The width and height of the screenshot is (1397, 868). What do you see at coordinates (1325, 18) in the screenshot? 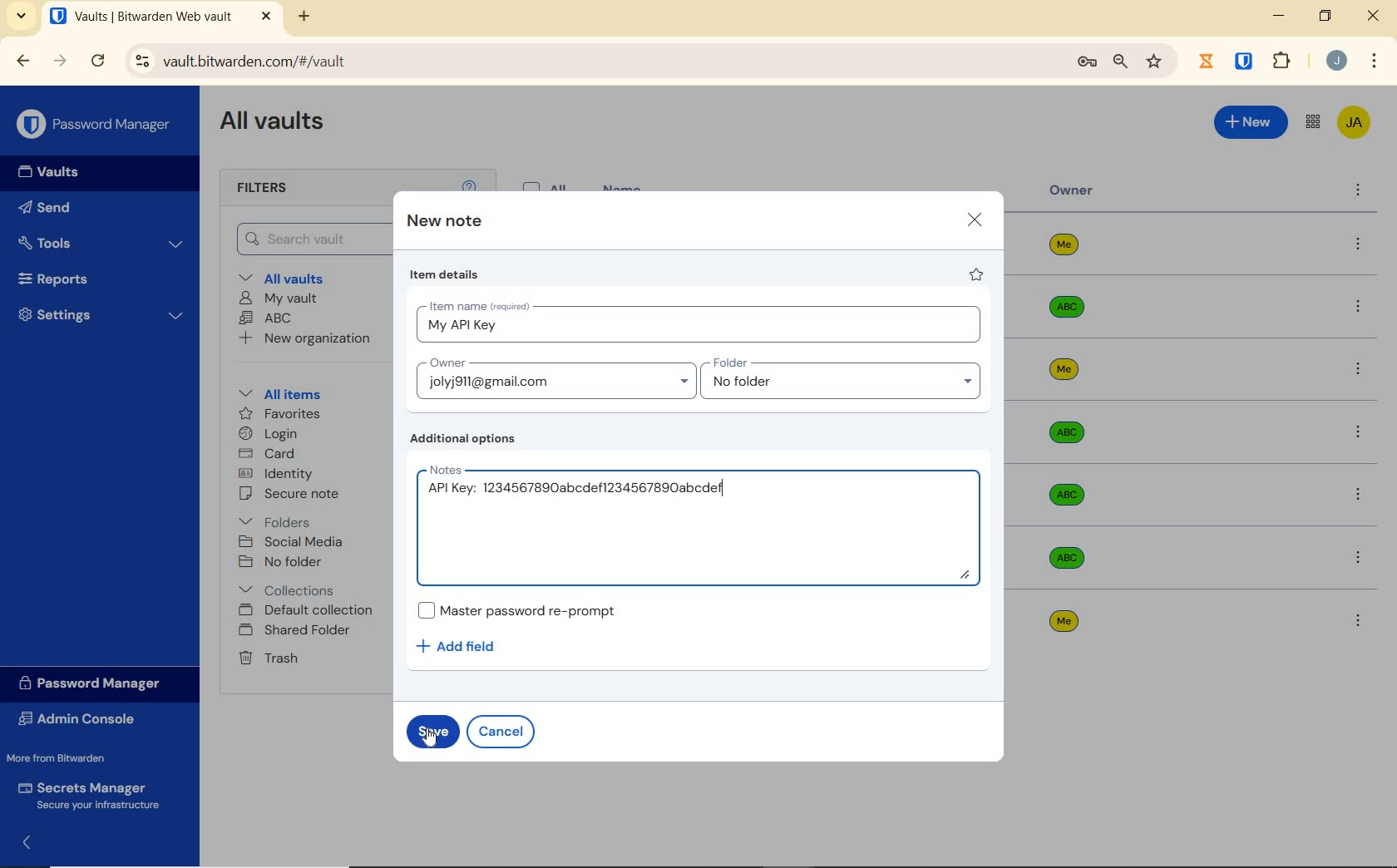
I see `RESTORE` at bounding box center [1325, 18].